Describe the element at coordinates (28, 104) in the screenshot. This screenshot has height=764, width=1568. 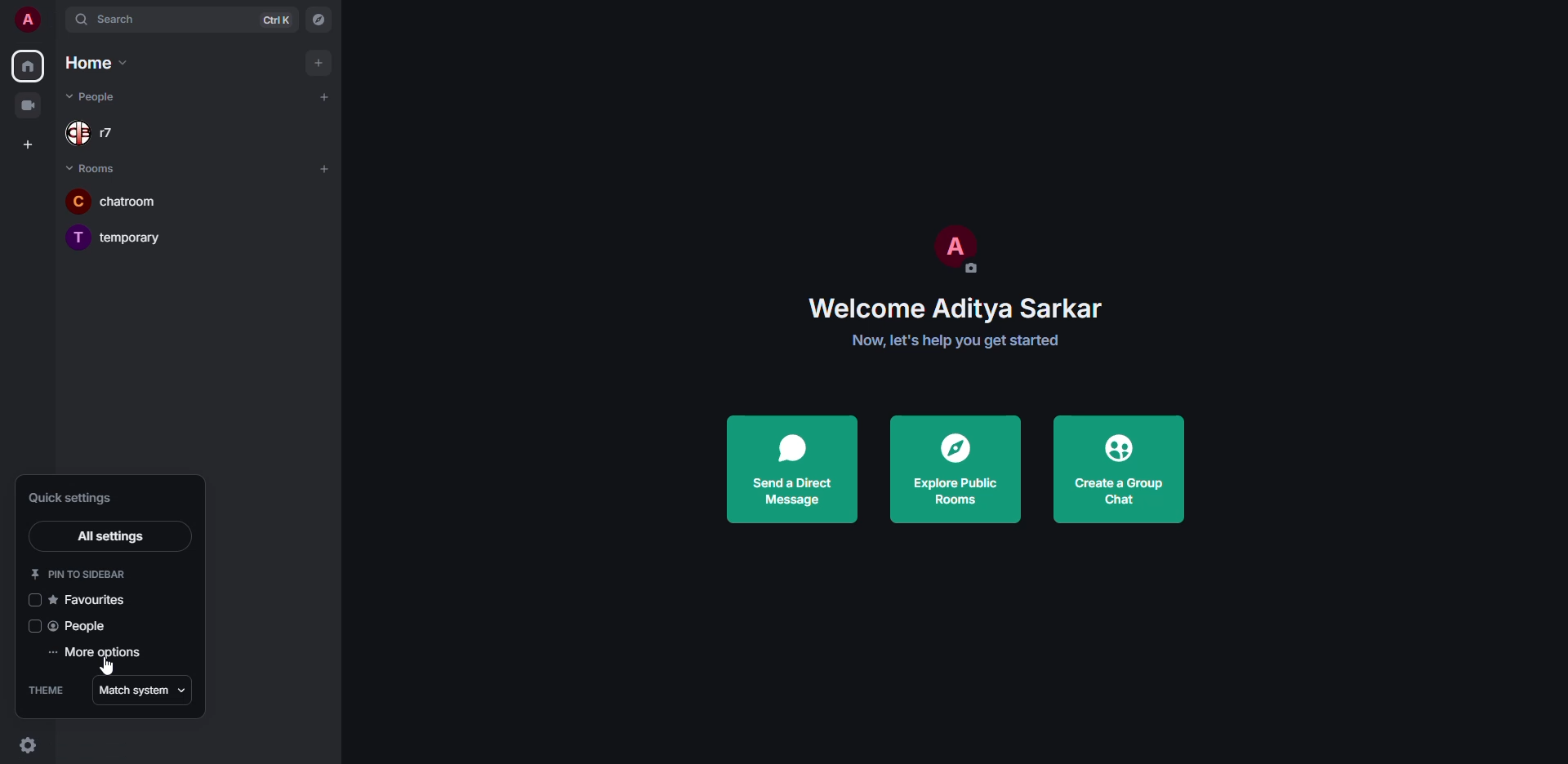
I see `video room` at that location.